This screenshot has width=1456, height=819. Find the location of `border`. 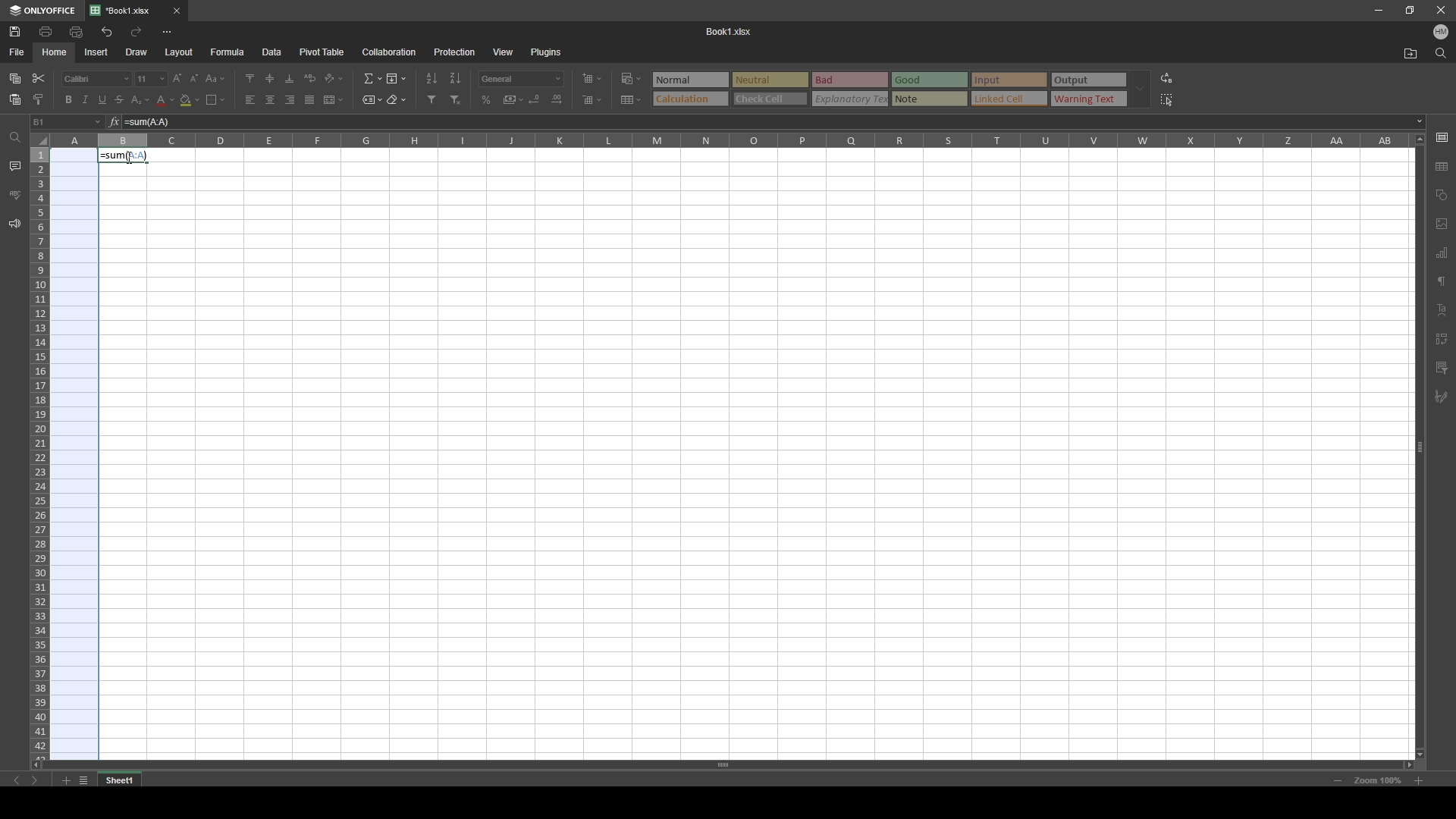

border is located at coordinates (215, 99).